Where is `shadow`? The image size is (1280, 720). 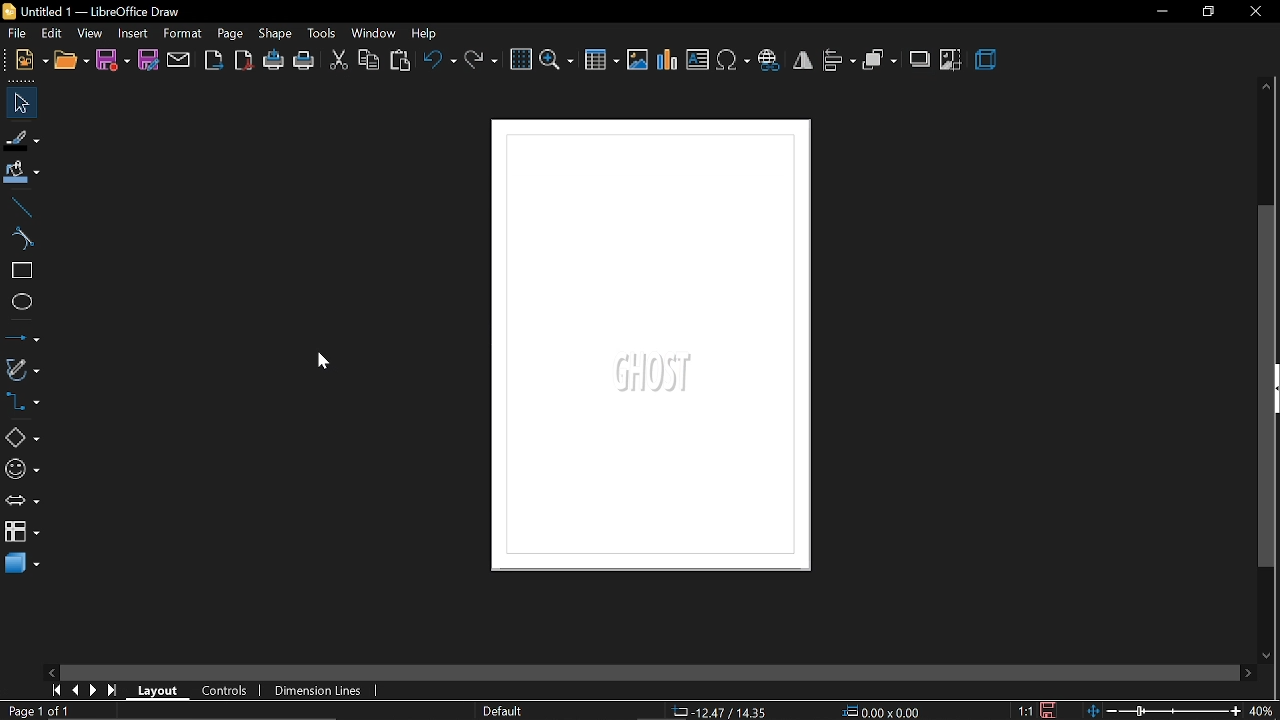 shadow is located at coordinates (919, 61).